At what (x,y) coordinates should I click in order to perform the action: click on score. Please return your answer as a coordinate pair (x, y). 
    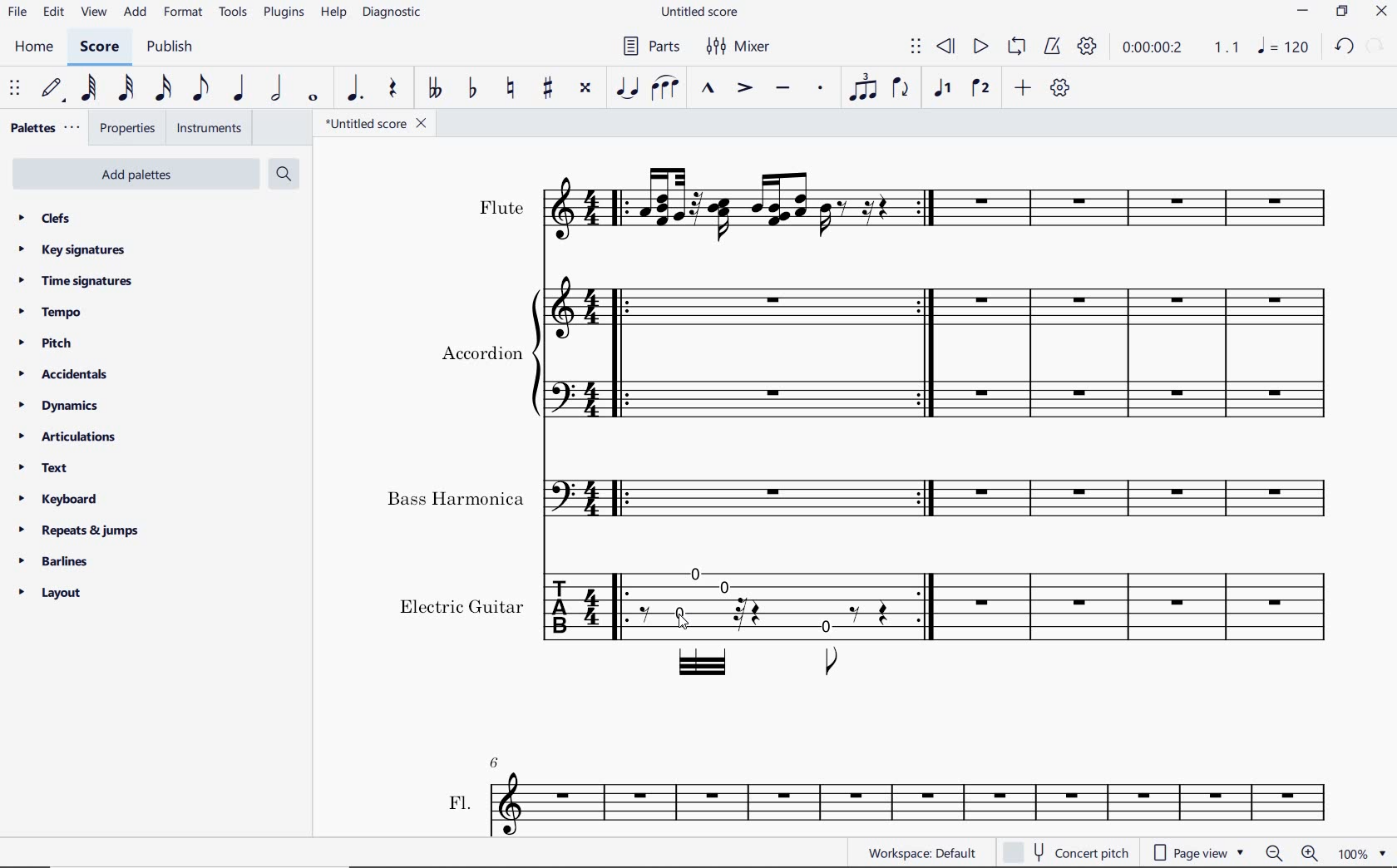
    Looking at the image, I should click on (101, 47).